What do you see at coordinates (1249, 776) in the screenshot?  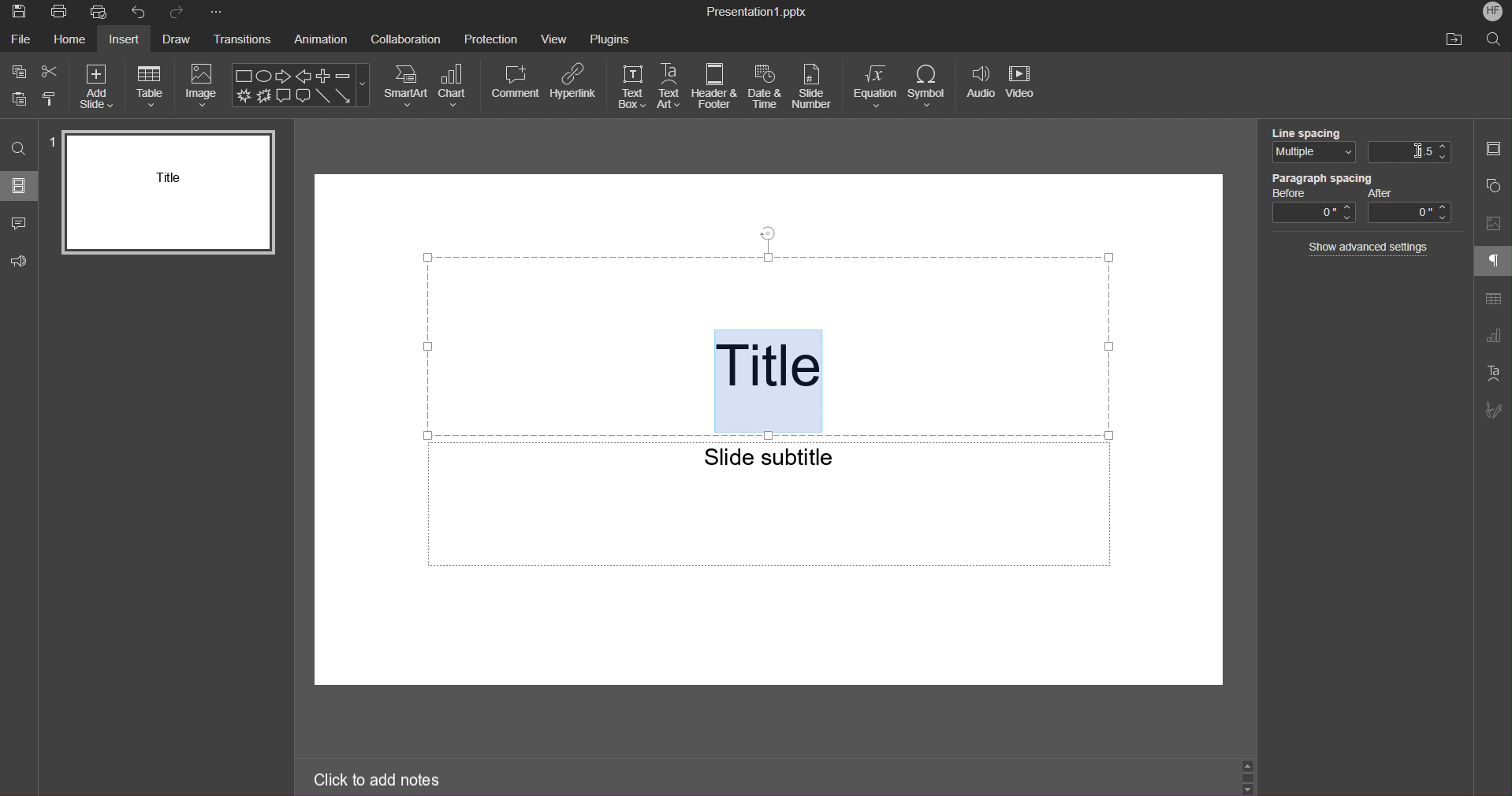 I see `Scroll Up and Down buttons` at bounding box center [1249, 776].